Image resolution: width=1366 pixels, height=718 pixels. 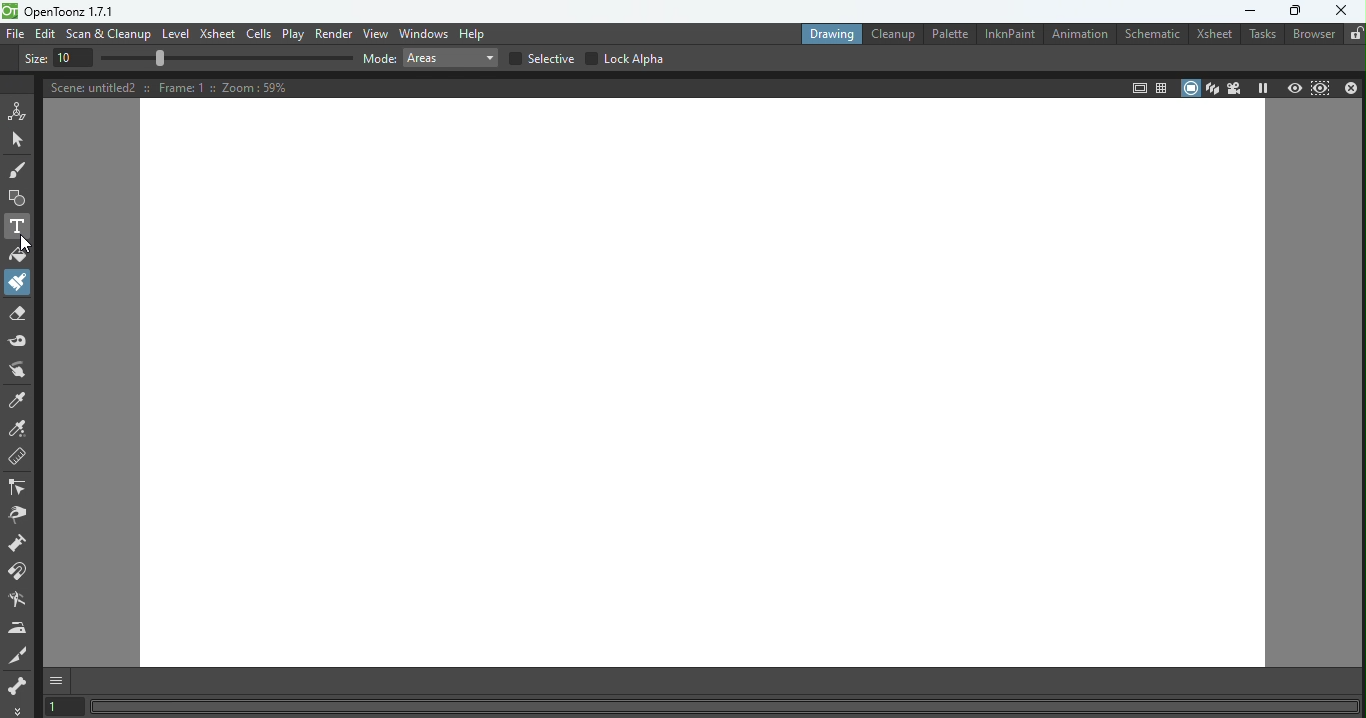 I want to click on Ruler tool, so click(x=18, y=457).